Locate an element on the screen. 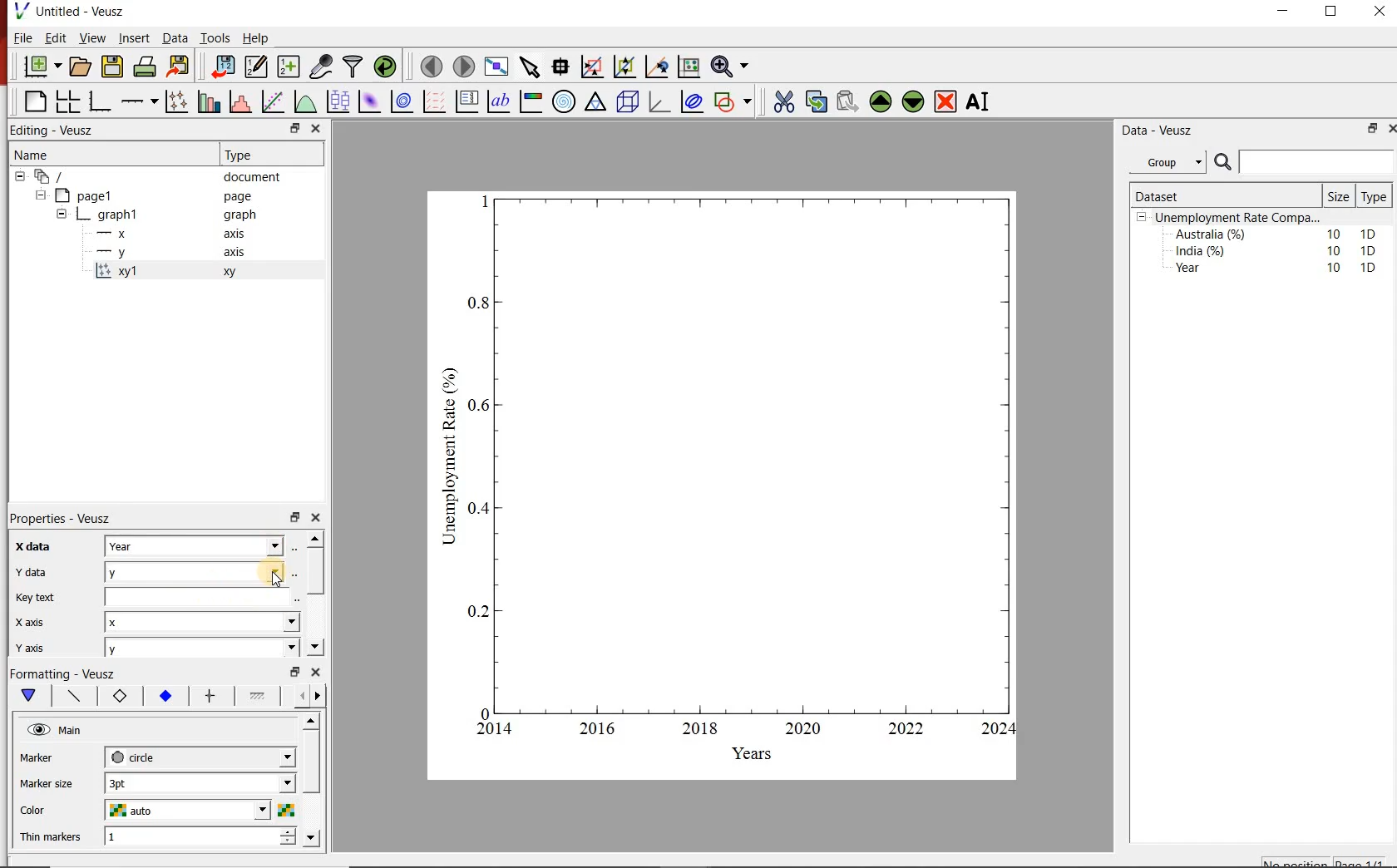 This screenshot has height=868, width=1397. Data - Veusz is located at coordinates (1173, 131).